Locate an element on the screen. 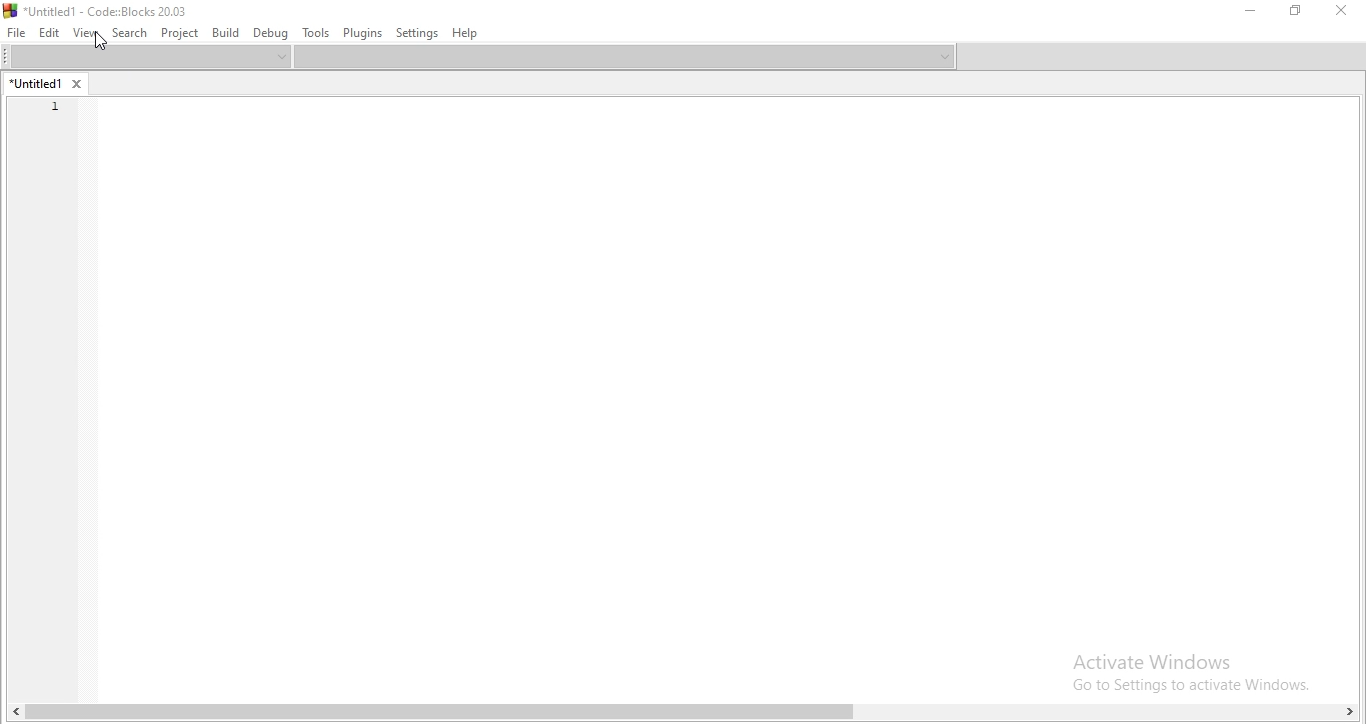 Image resolution: width=1366 pixels, height=724 pixels. Project  is located at coordinates (180, 33).